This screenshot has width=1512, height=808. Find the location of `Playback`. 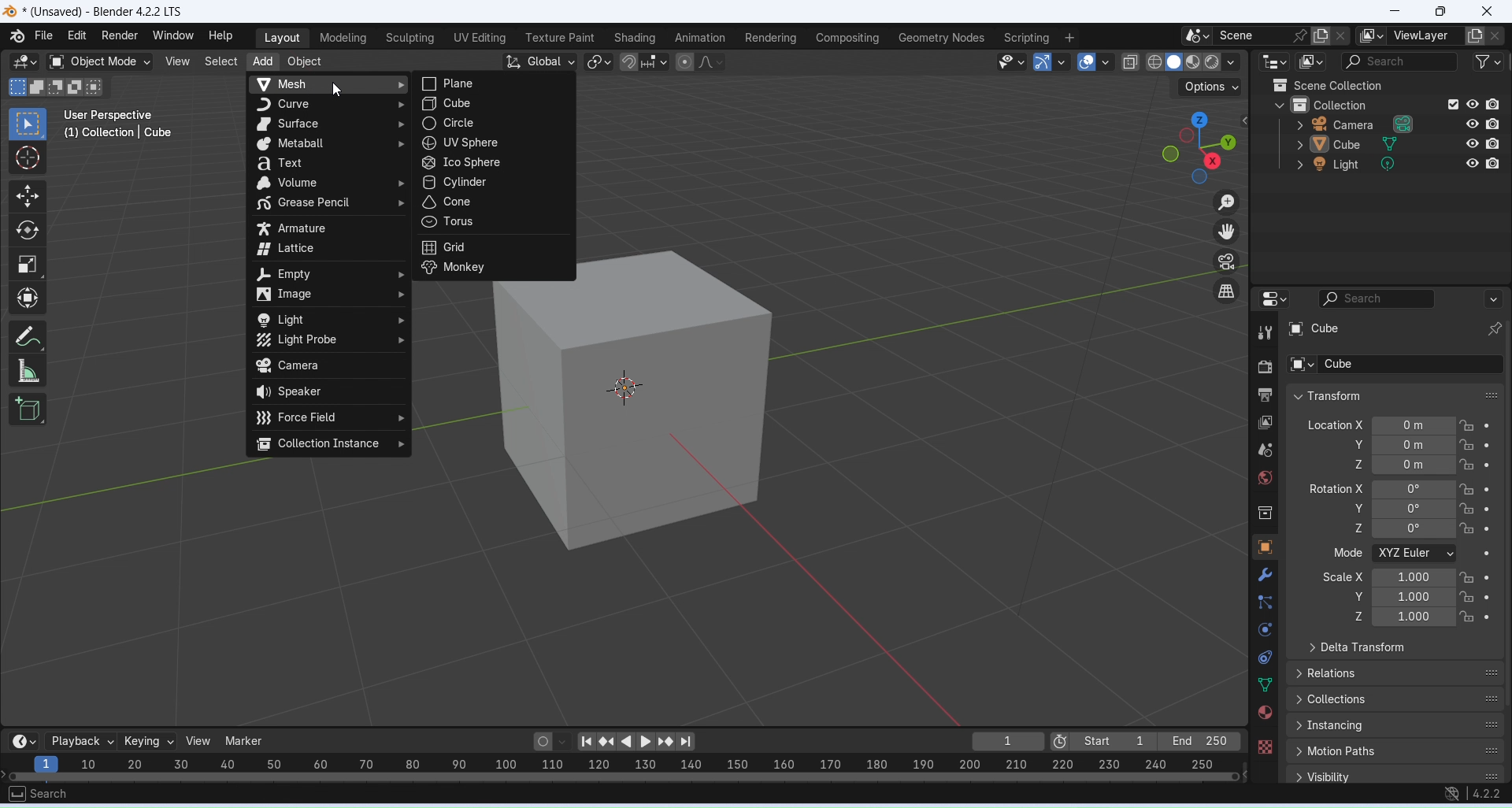

Playback is located at coordinates (79, 740).